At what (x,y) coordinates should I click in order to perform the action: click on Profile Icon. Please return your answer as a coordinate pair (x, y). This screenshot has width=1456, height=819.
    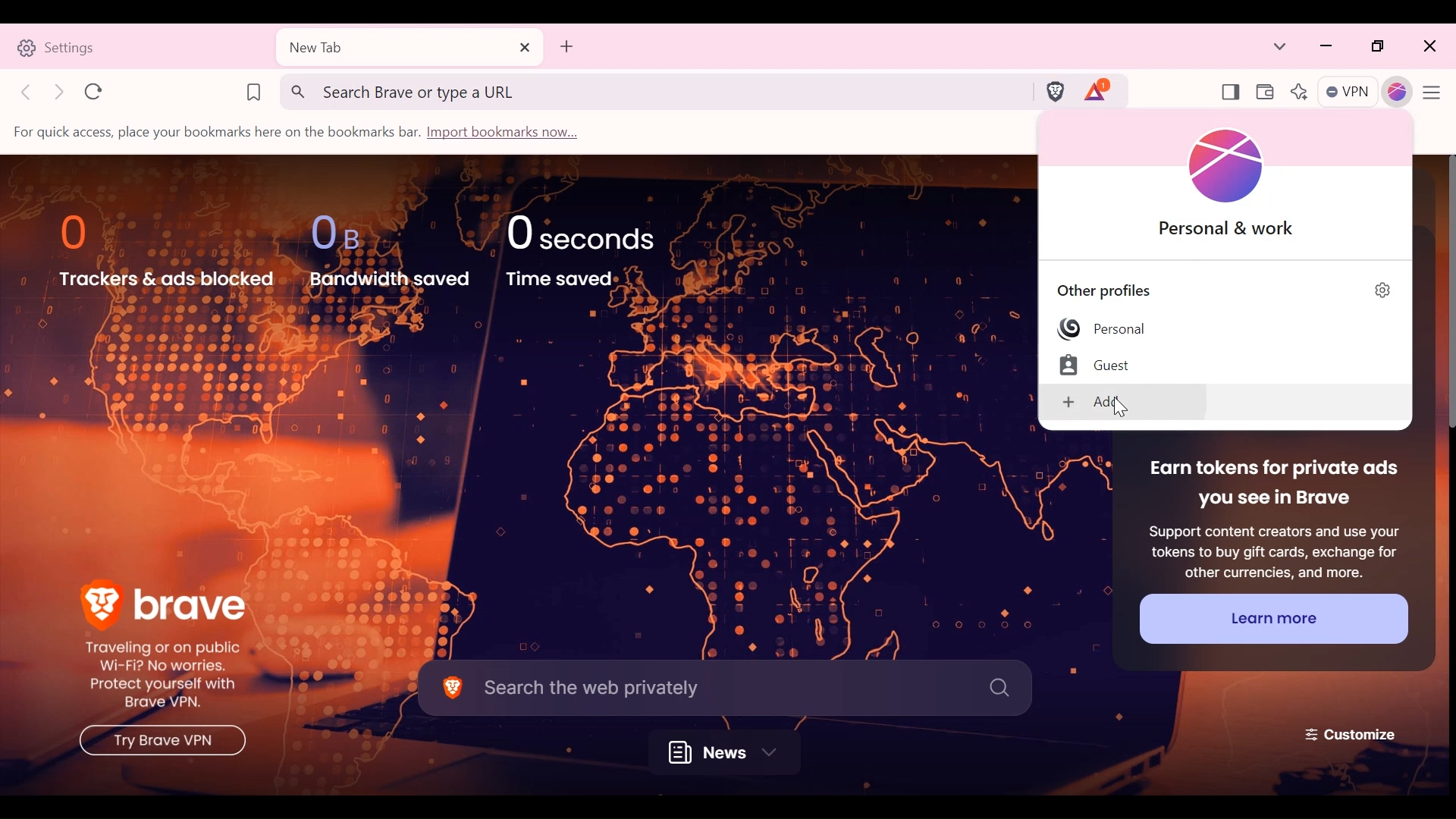
    Looking at the image, I should click on (1236, 167).